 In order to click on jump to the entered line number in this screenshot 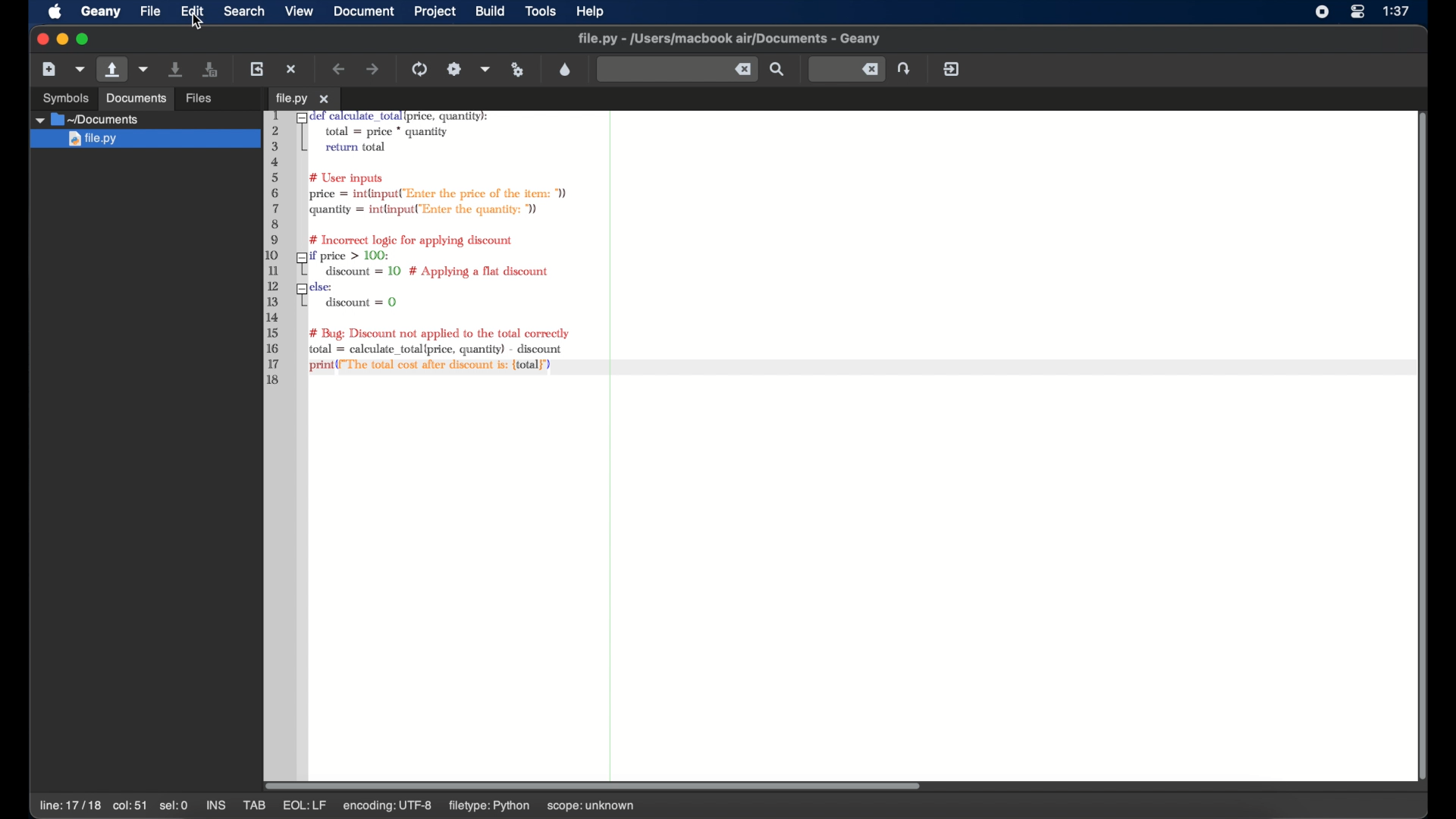, I will do `click(846, 68)`.